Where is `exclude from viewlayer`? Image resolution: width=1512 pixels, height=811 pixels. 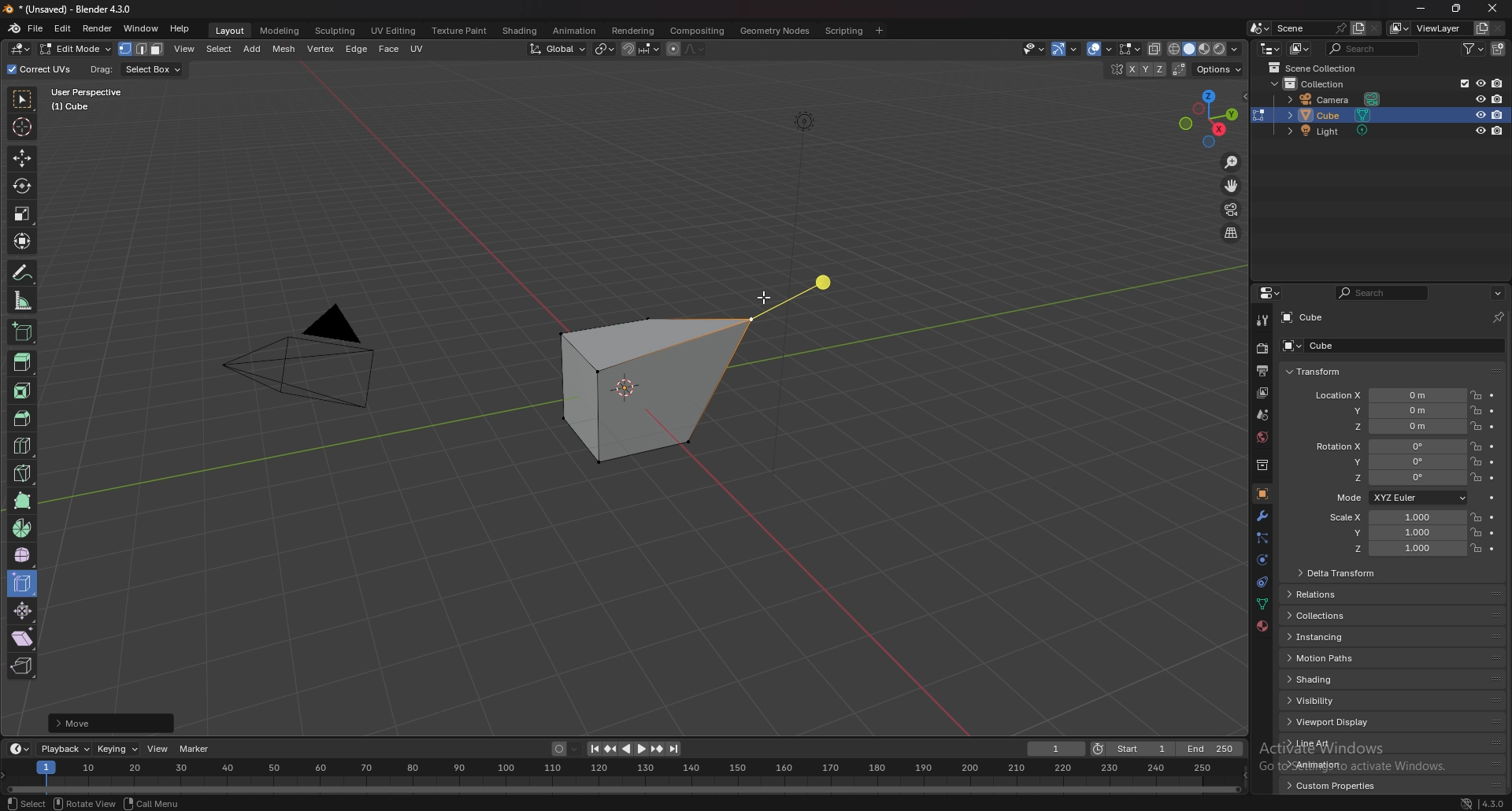
exclude from viewlayer is located at coordinates (1459, 83).